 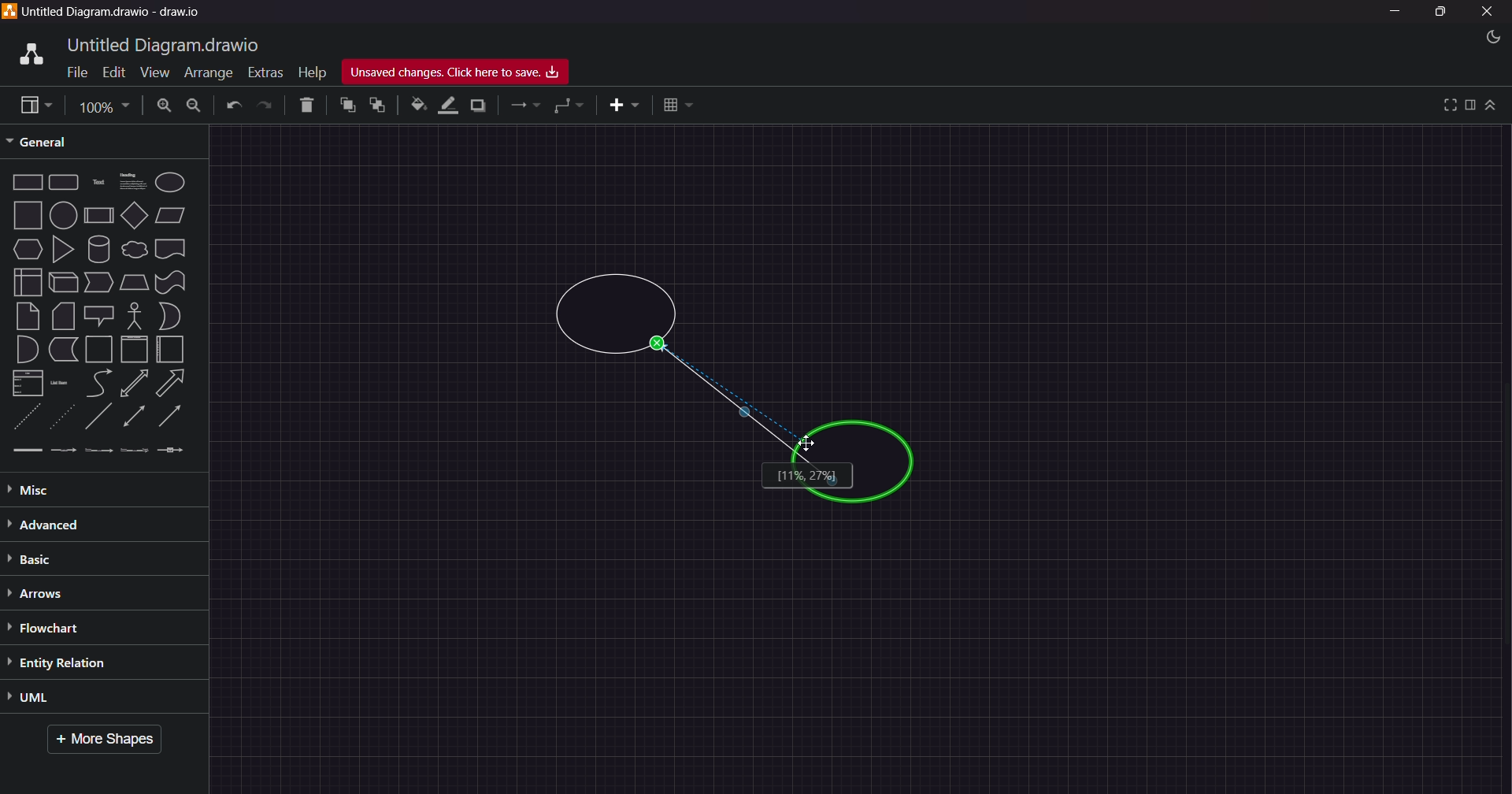 What do you see at coordinates (570, 107) in the screenshot?
I see `waypoints` at bounding box center [570, 107].